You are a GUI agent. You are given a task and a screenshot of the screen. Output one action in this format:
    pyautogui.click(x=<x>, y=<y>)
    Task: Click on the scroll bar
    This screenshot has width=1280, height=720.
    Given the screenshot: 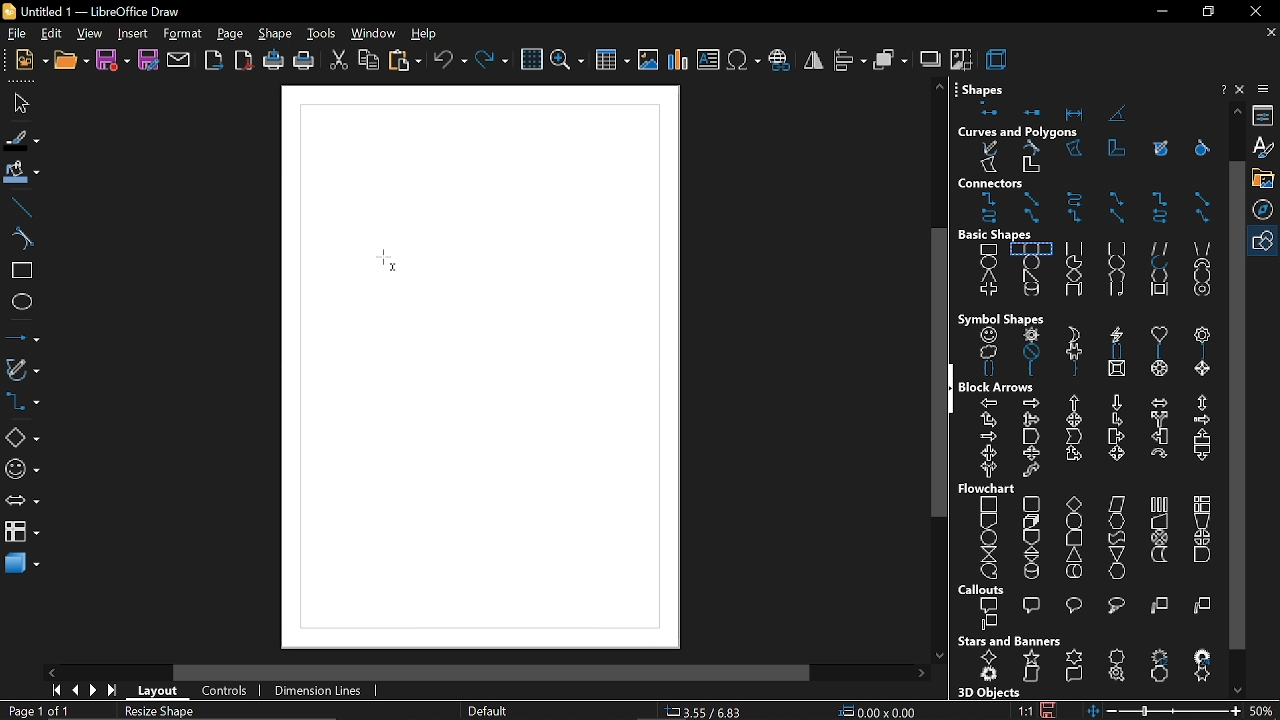 What is the action you would take?
    pyautogui.click(x=492, y=674)
    